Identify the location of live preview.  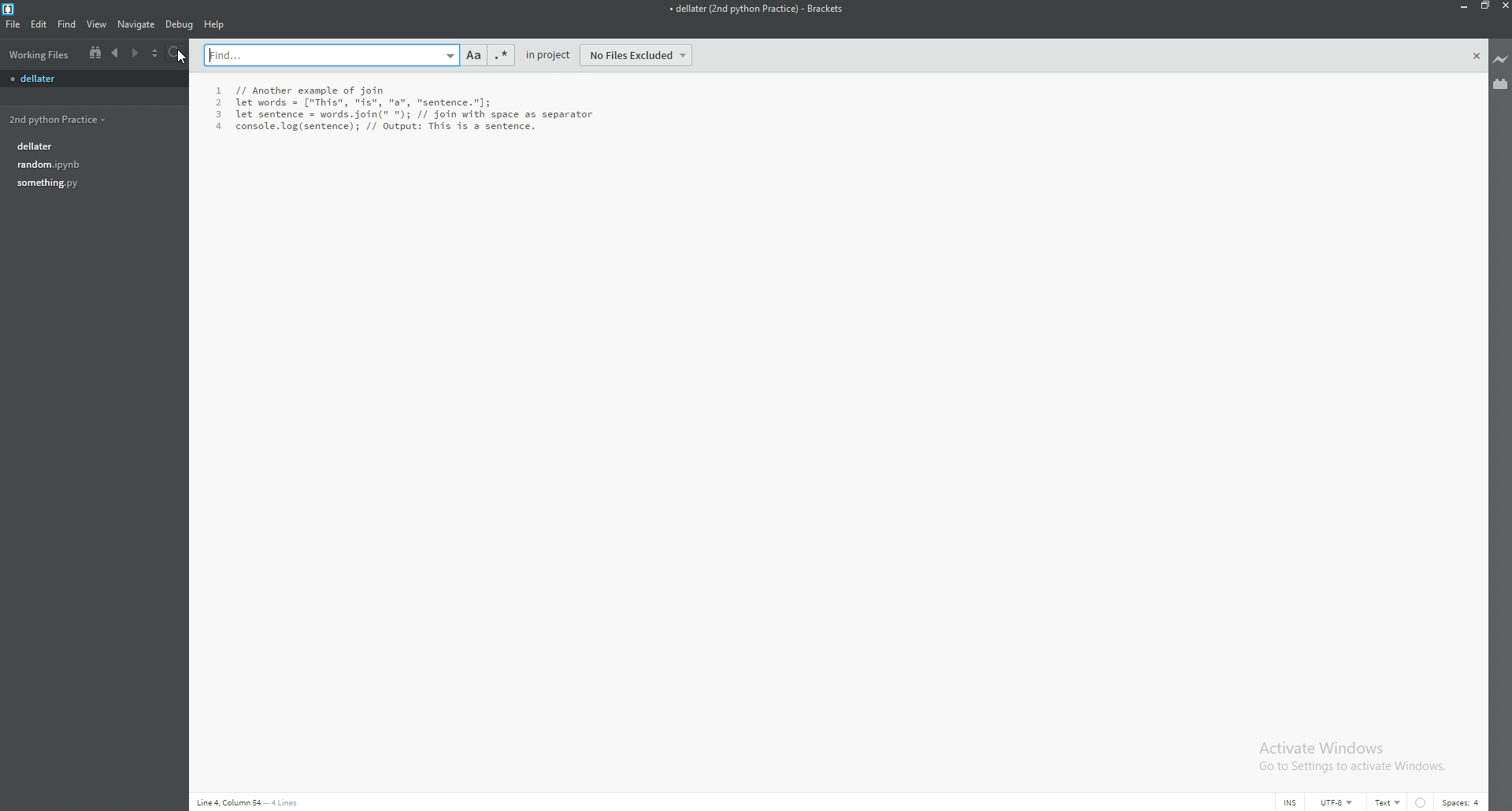
(1502, 57).